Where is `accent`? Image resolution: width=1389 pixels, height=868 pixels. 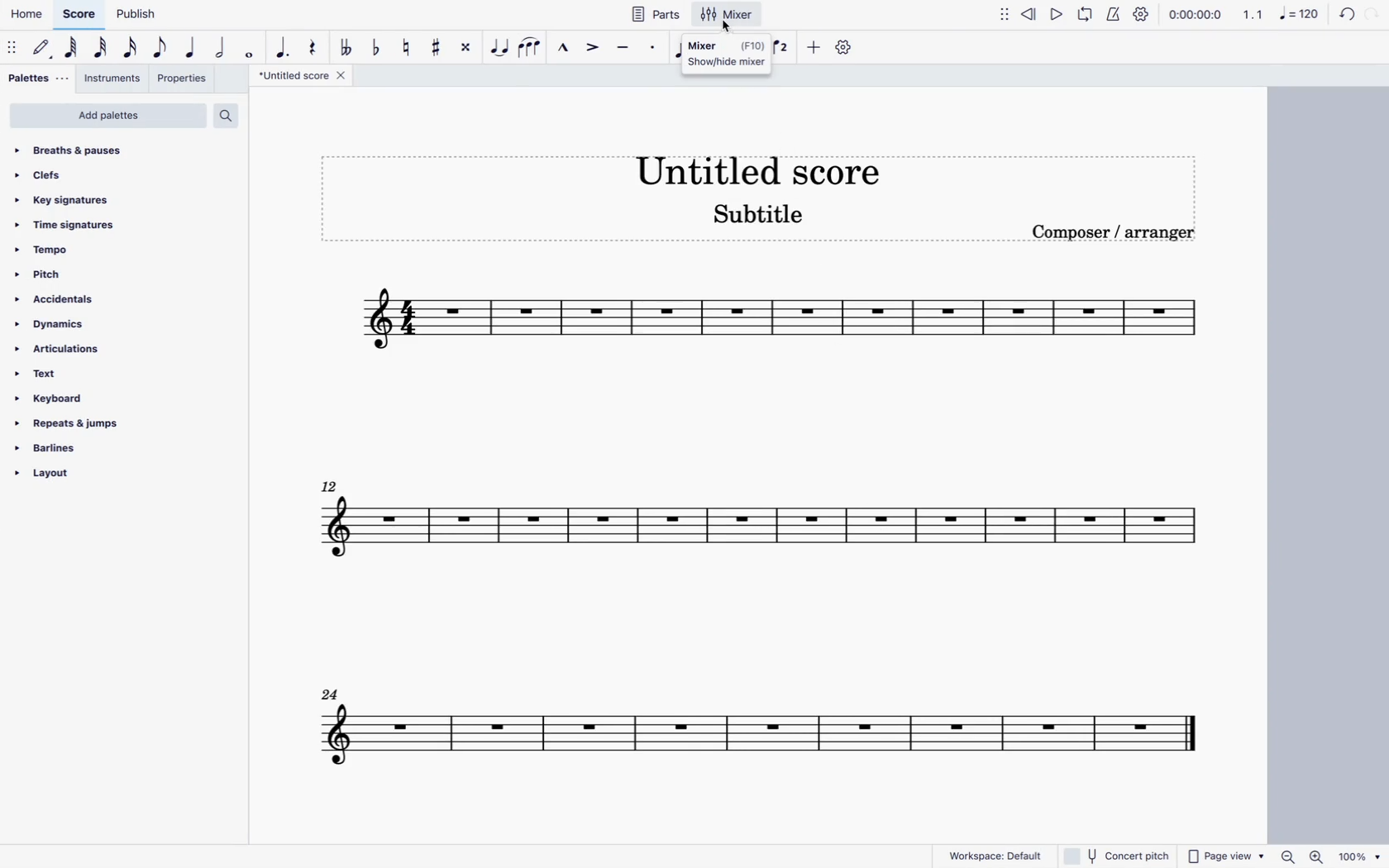 accent is located at coordinates (590, 47).